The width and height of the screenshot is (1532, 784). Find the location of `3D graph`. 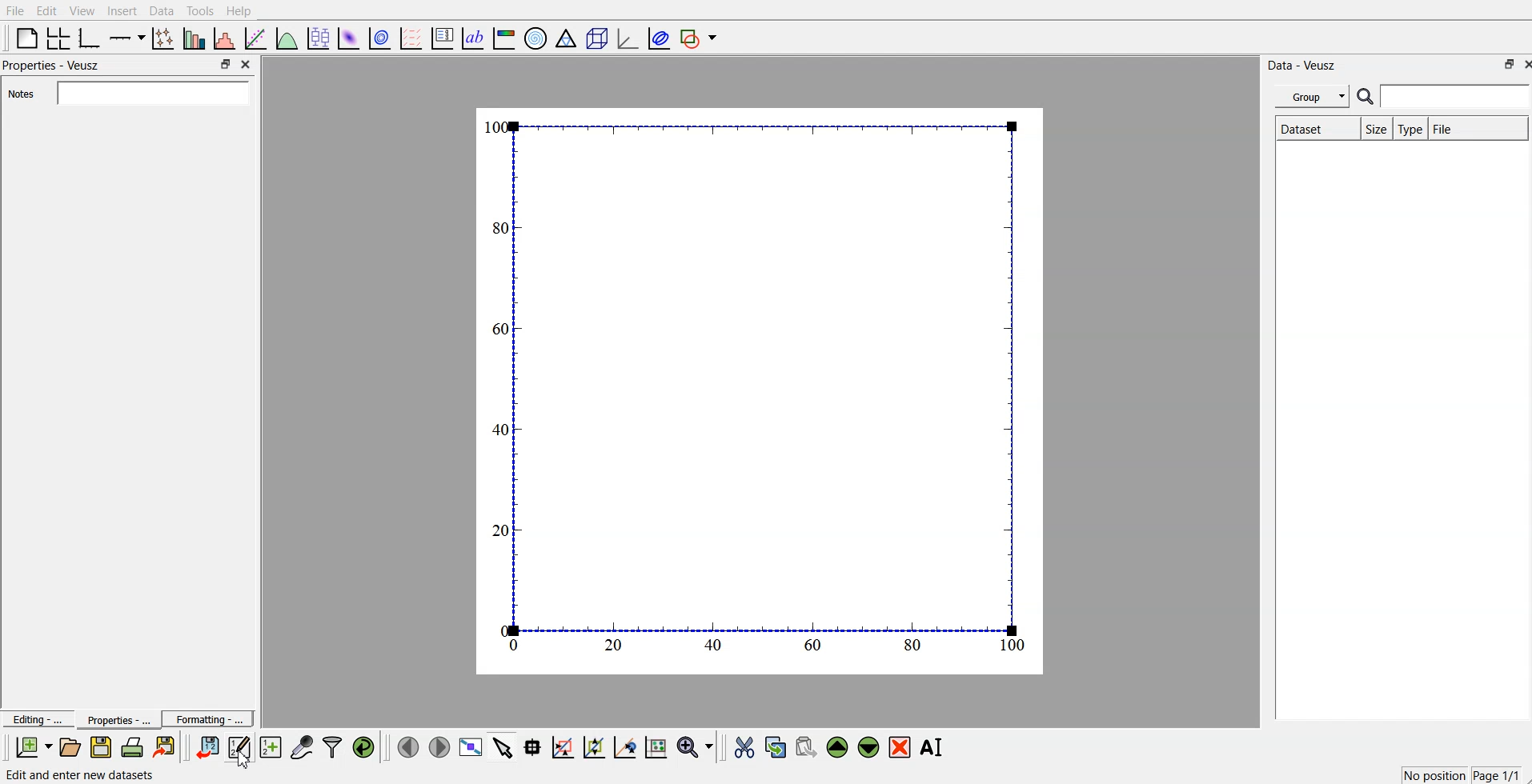

3D graph is located at coordinates (626, 38).